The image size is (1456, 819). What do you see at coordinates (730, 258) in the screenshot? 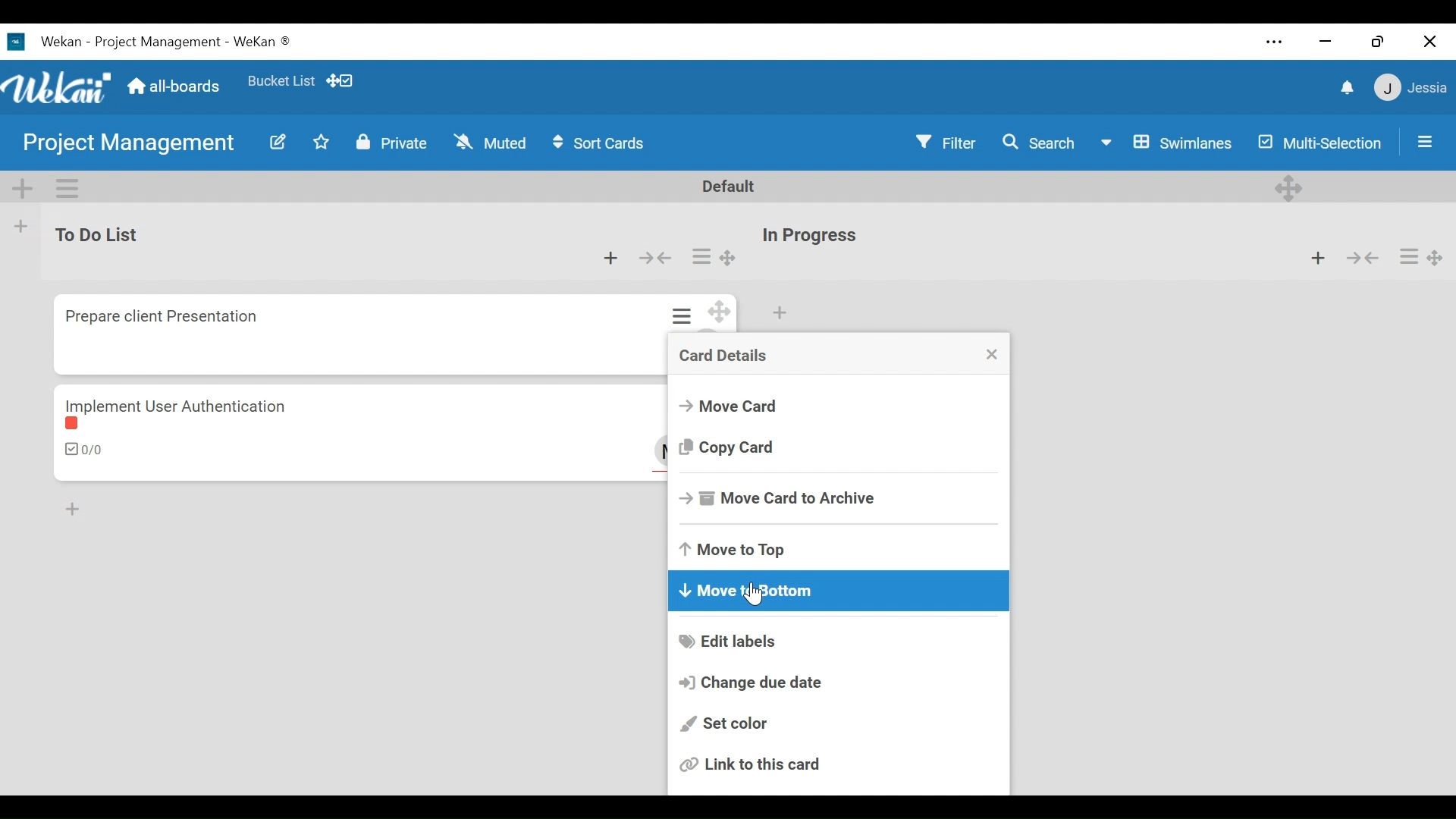
I see `Desktop drag handle` at bounding box center [730, 258].